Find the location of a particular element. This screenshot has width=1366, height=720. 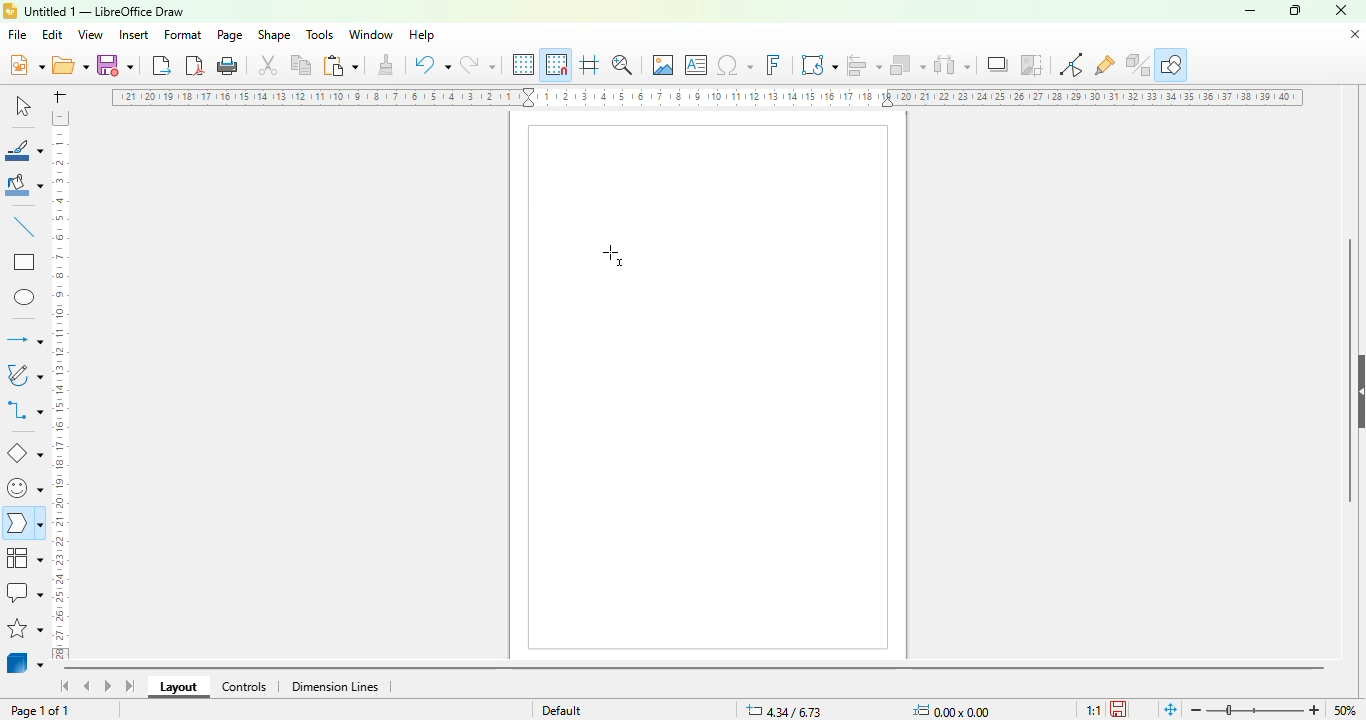

title is located at coordinates (104, 12).